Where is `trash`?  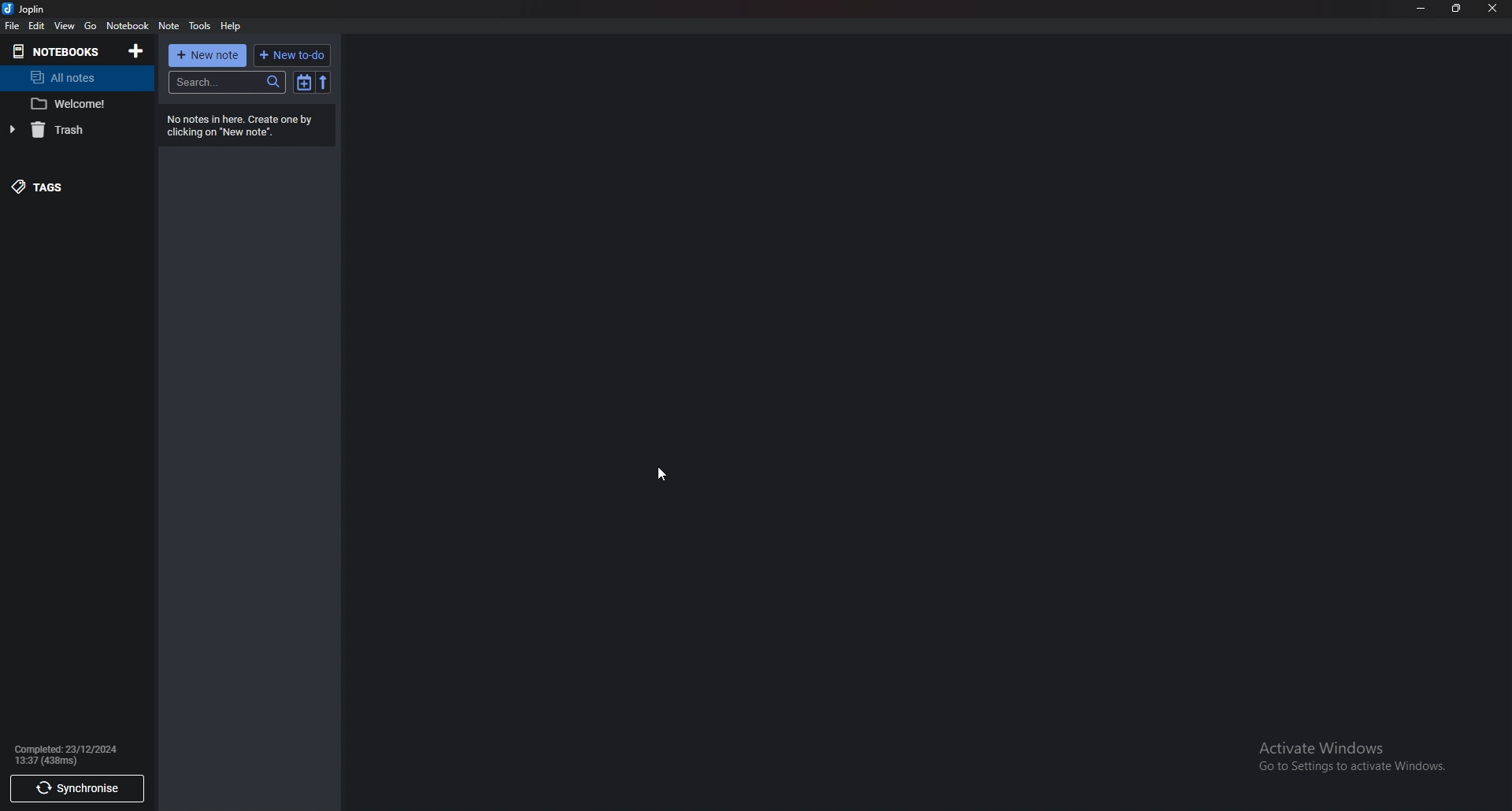 trash is located at coordinates (72, 131).